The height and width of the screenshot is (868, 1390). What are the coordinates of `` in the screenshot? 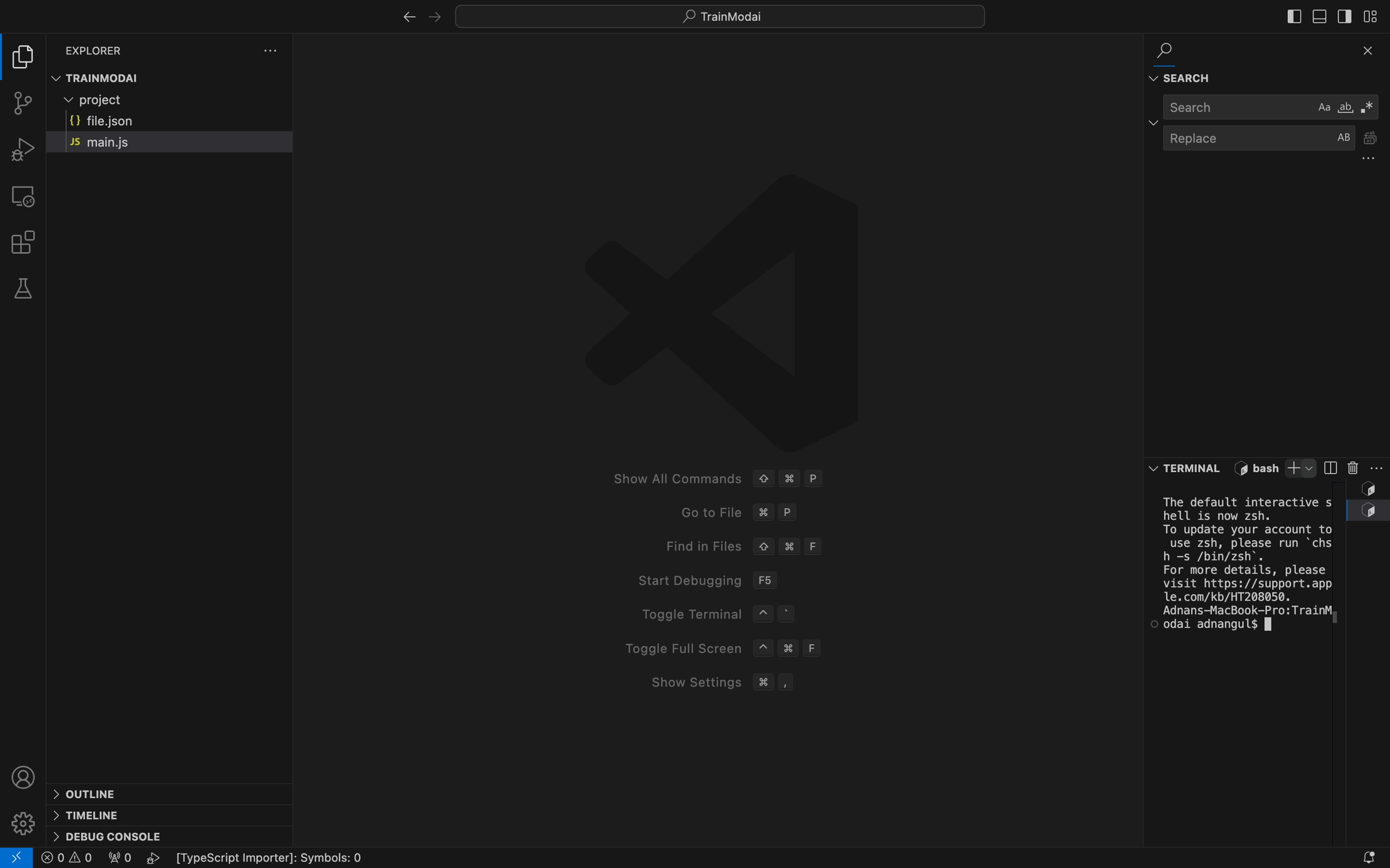 It's located at (1365, 487).